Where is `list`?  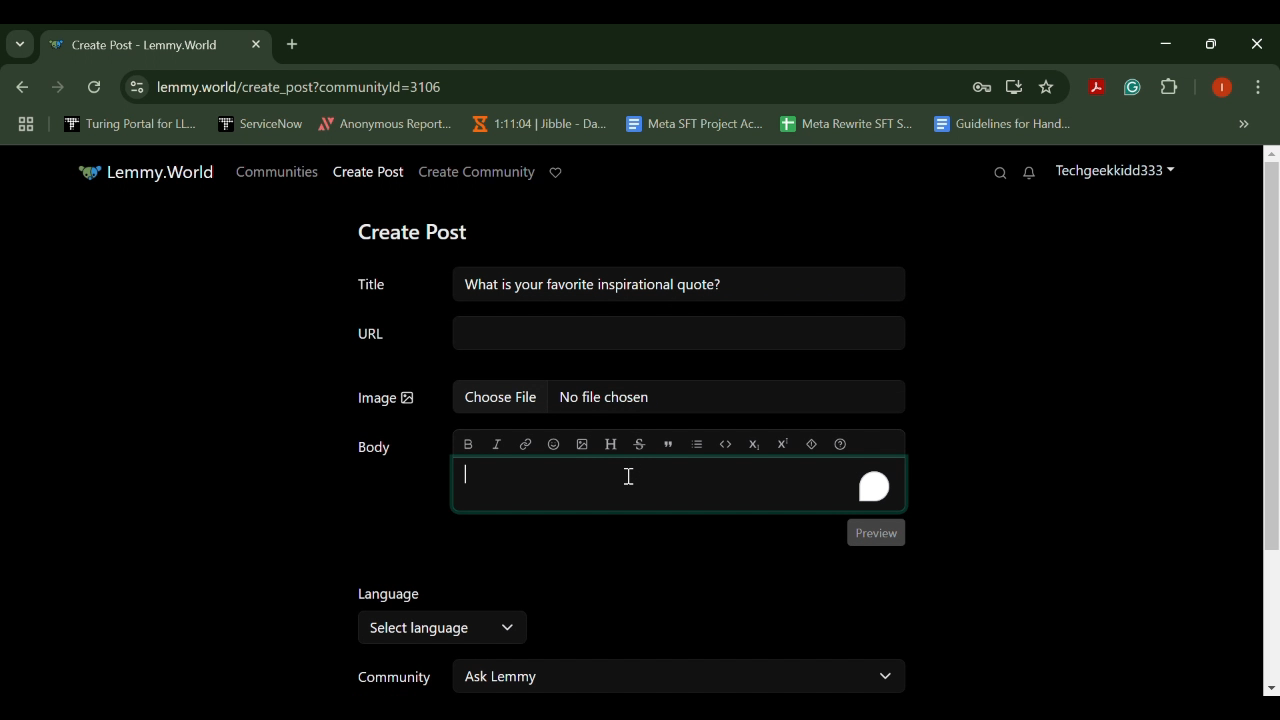
list is located at coordinates (698, 443).